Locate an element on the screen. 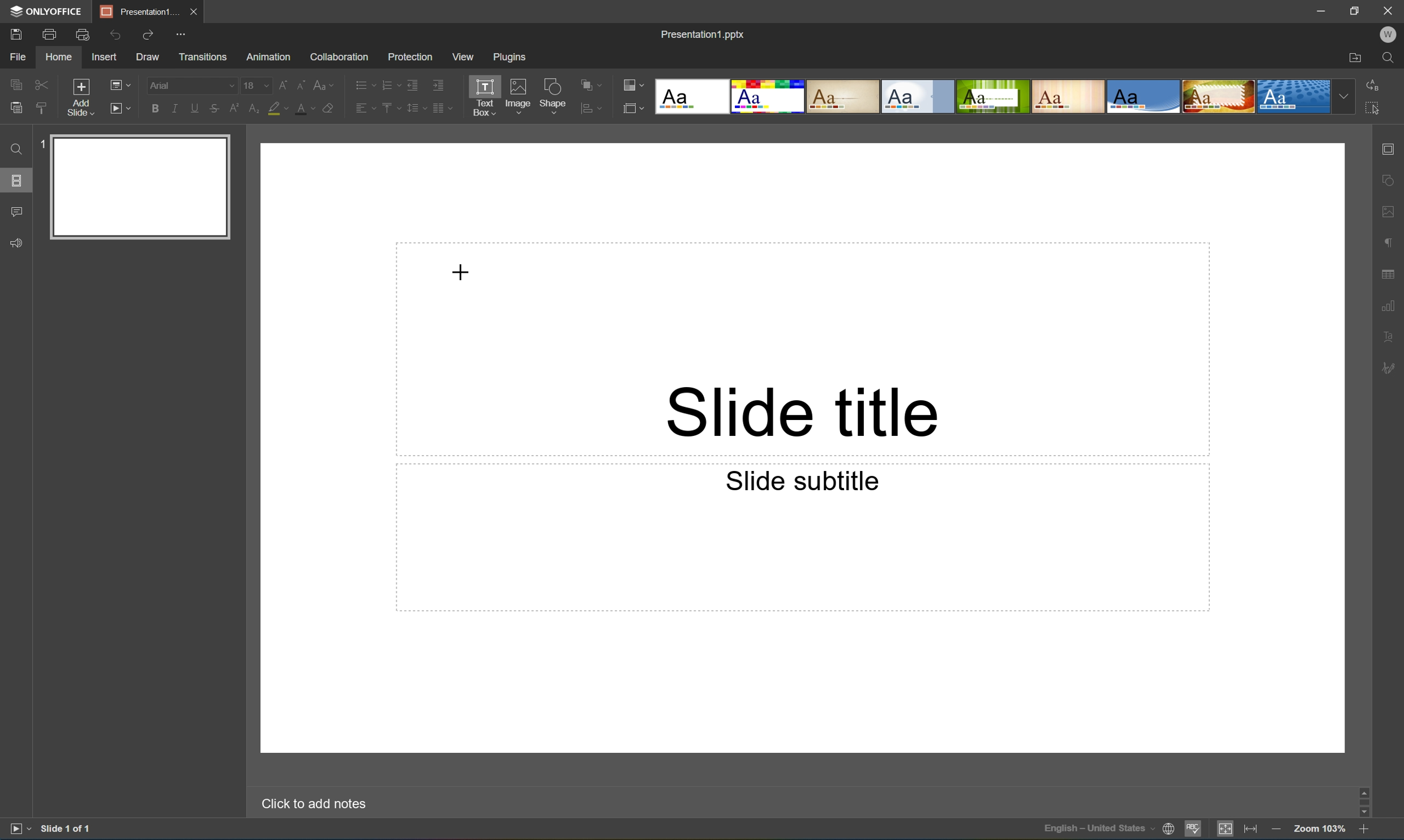  Type of slides is located at coordinates (992, 97).